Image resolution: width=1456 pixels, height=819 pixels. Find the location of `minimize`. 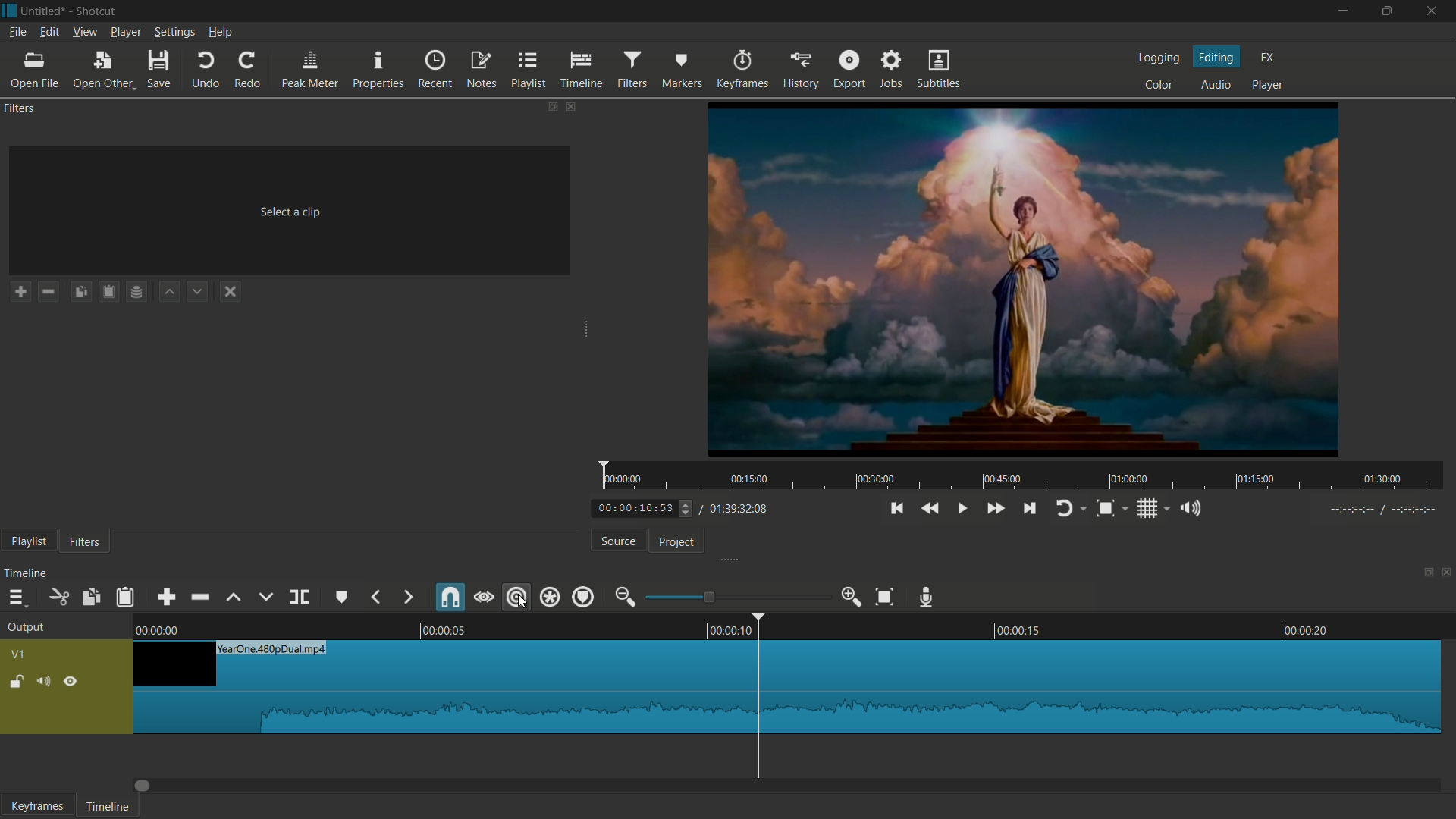

minimize is located at coordinates (1341, 13).